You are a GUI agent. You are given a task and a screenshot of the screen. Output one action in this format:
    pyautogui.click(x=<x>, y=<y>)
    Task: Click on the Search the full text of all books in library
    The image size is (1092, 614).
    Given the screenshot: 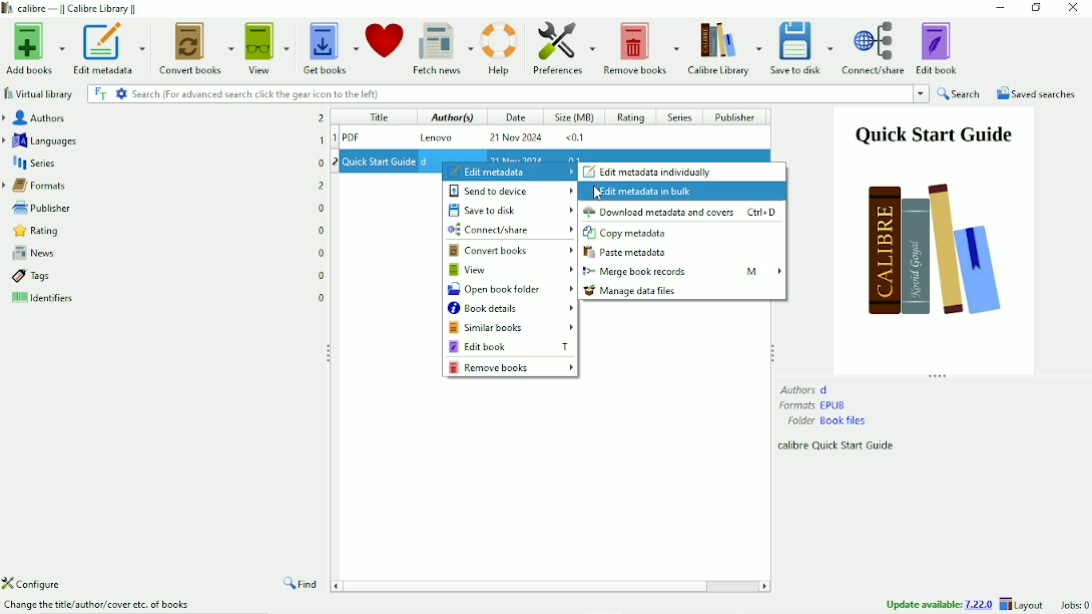 What is the action you would take?
    pyautogui.click(x=100, y=93)
    